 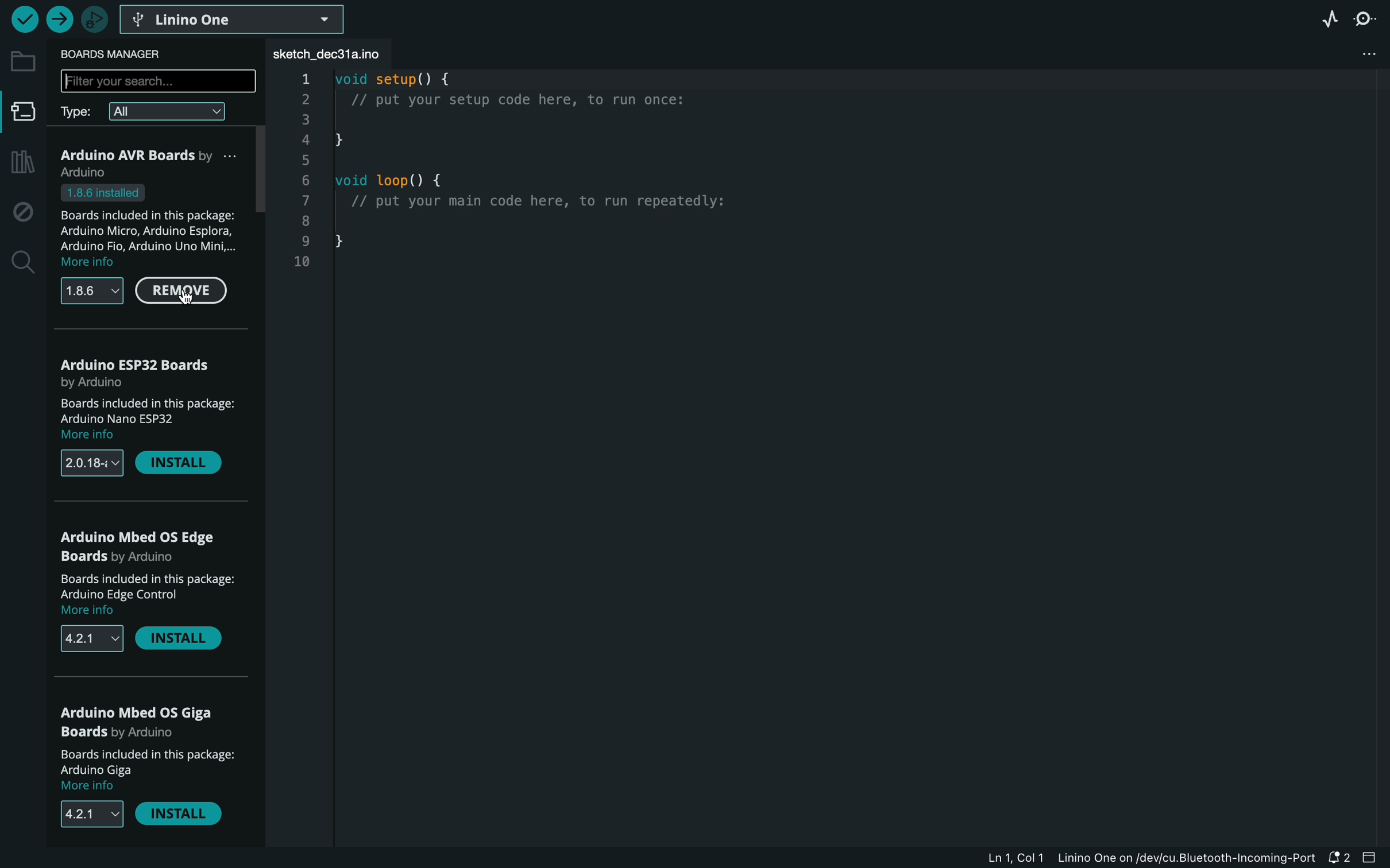 What do you see at coordinates (536, 178) in the screenshot?
I see `code` at bounding box center [536, 178].